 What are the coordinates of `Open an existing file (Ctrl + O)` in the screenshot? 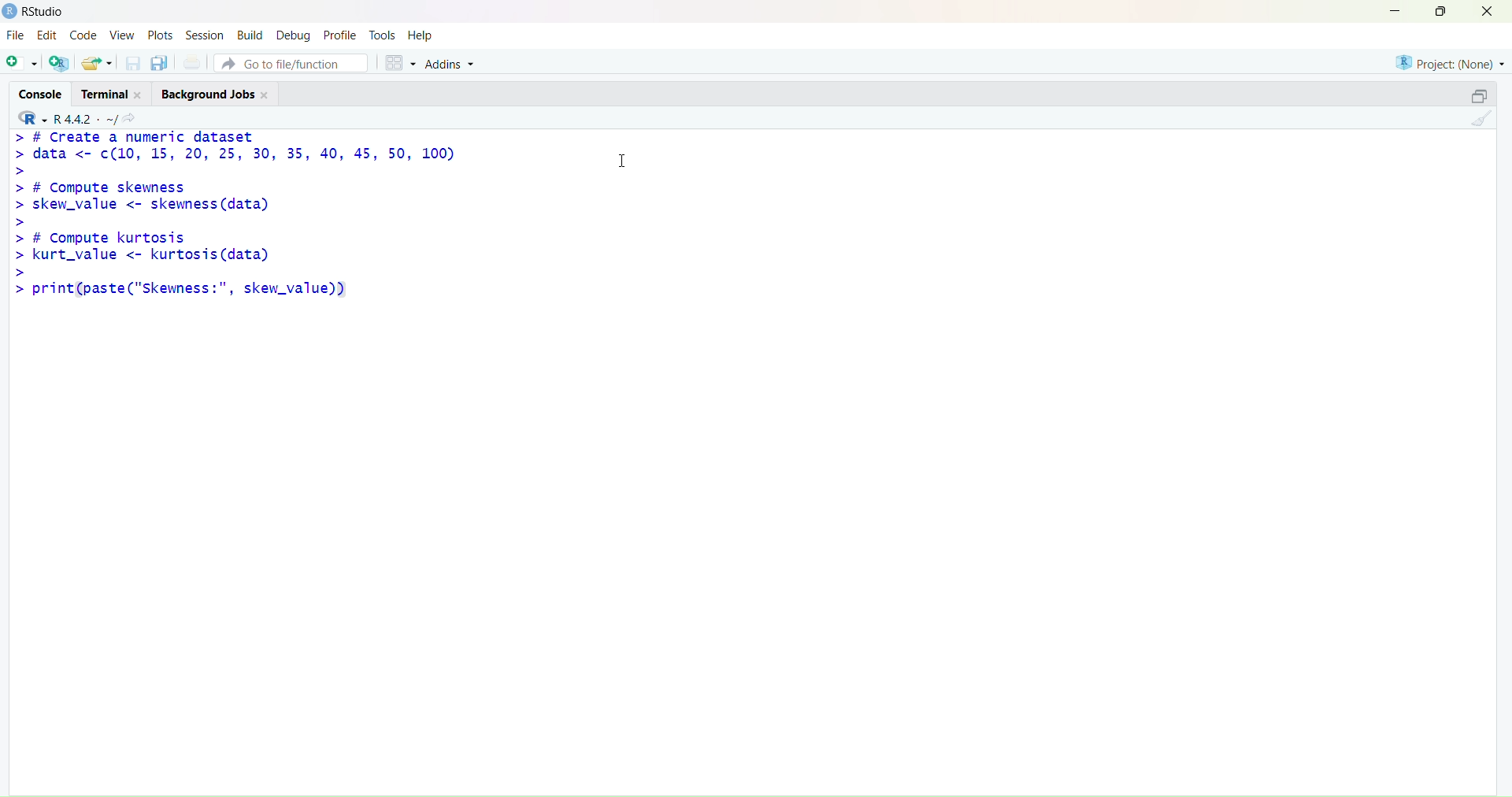 It's located at (98, 62).